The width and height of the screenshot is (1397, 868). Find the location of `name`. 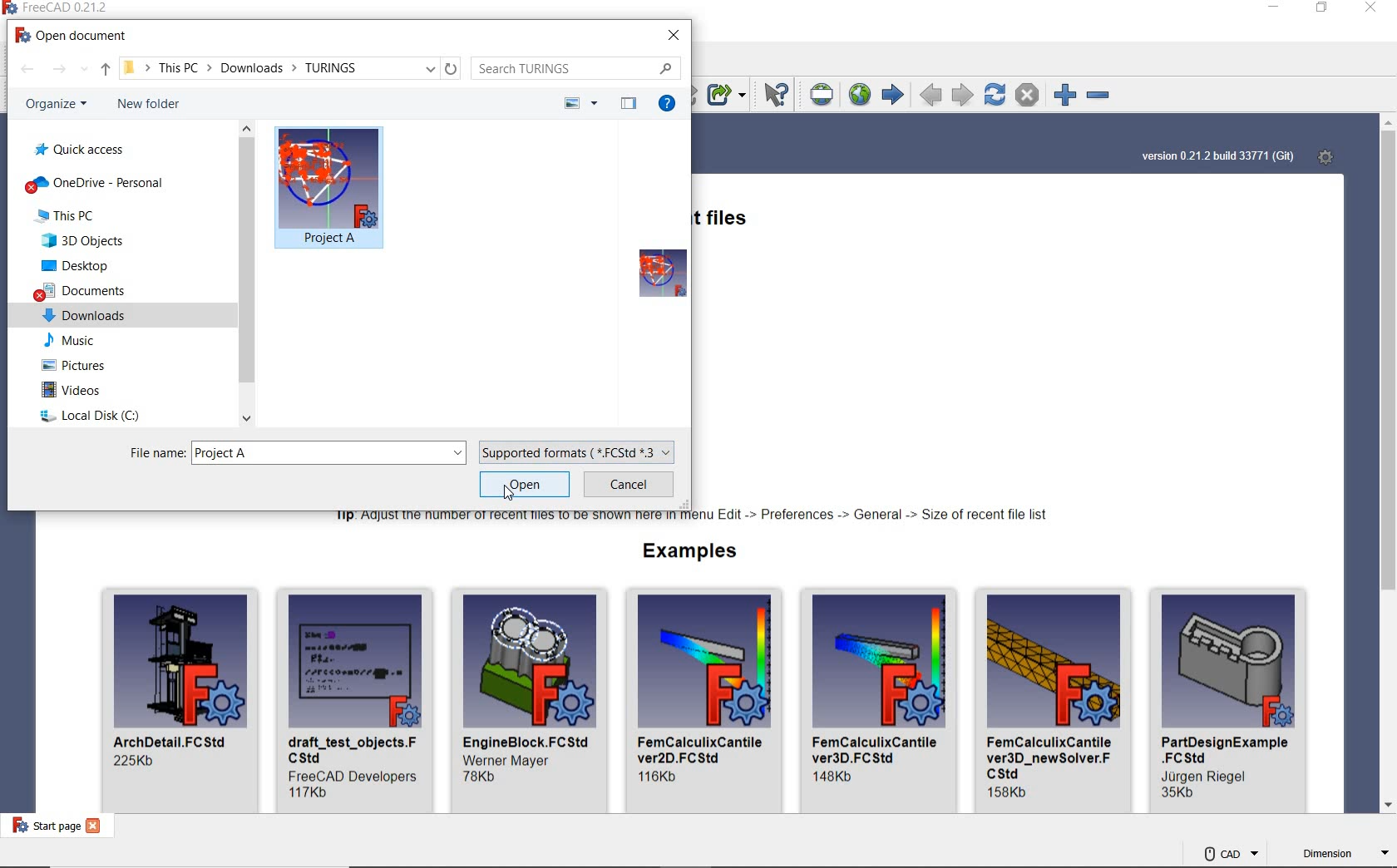

name is located at coordinates (174, 741).